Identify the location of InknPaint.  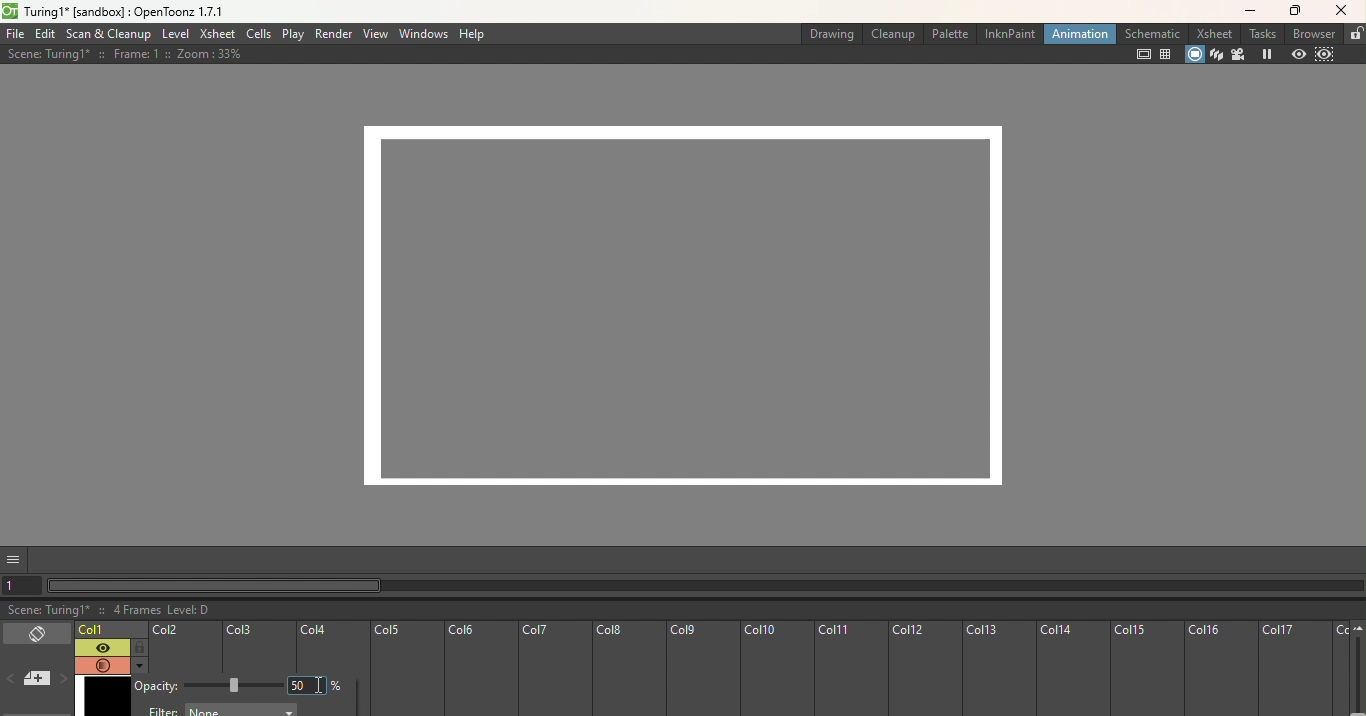
(1008, 33).